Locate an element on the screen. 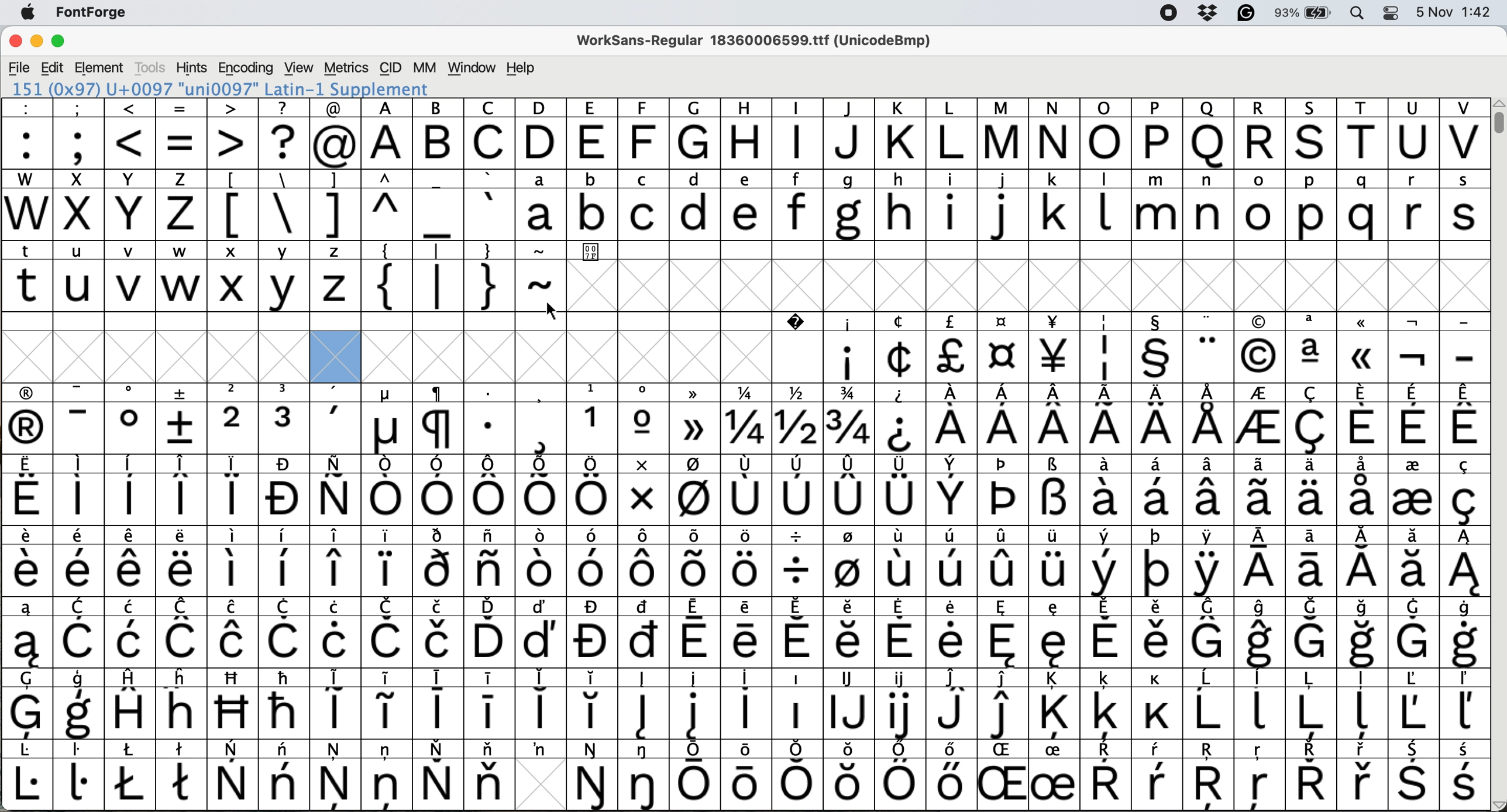 This screenshot has width=1507, height=812. window is located at coordinates (469, 68).